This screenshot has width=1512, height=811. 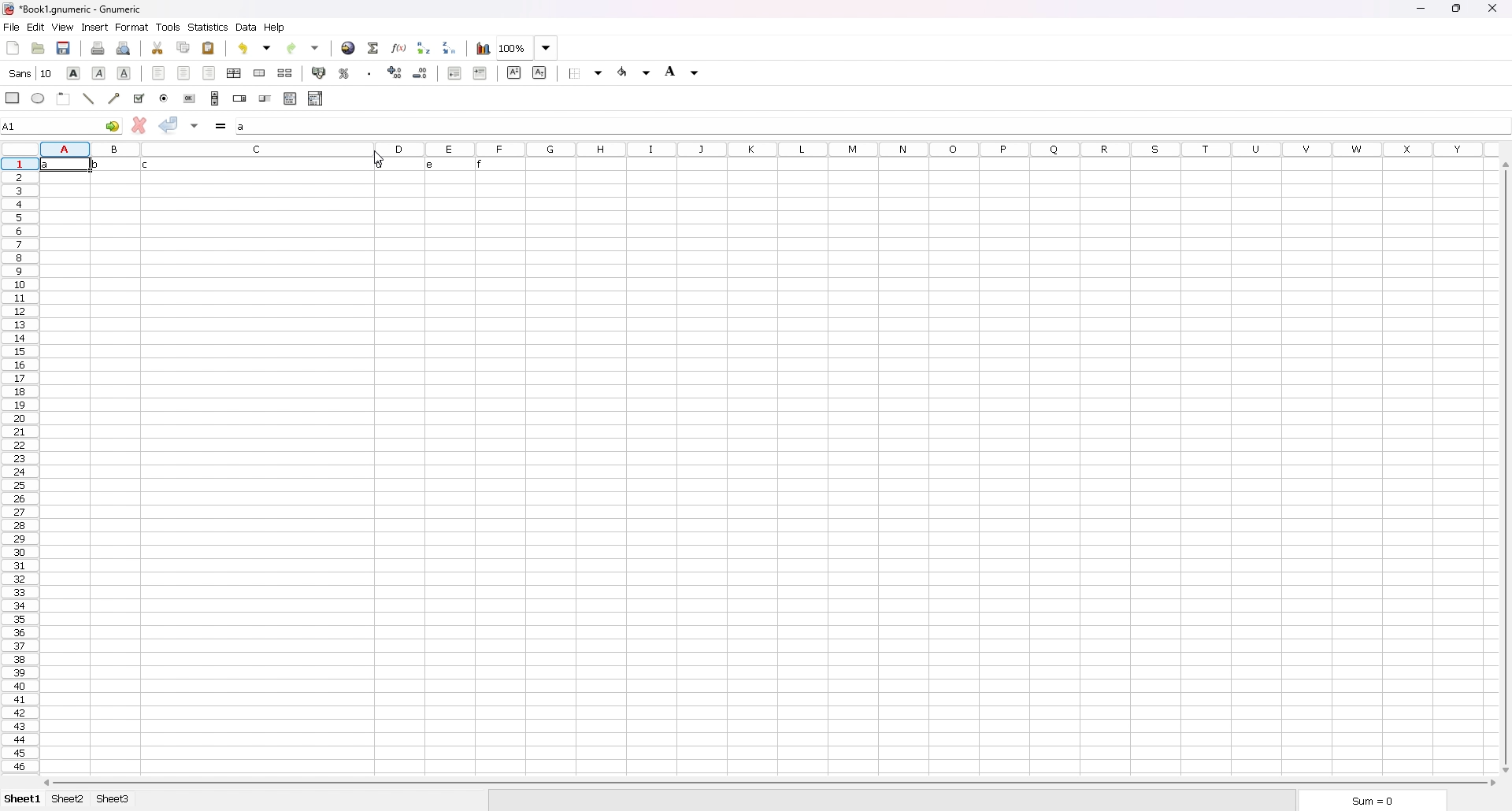 What do you see at coordinates (165, 98) in the screenshot?
I see `radio button` at bounding box center [165, 98].